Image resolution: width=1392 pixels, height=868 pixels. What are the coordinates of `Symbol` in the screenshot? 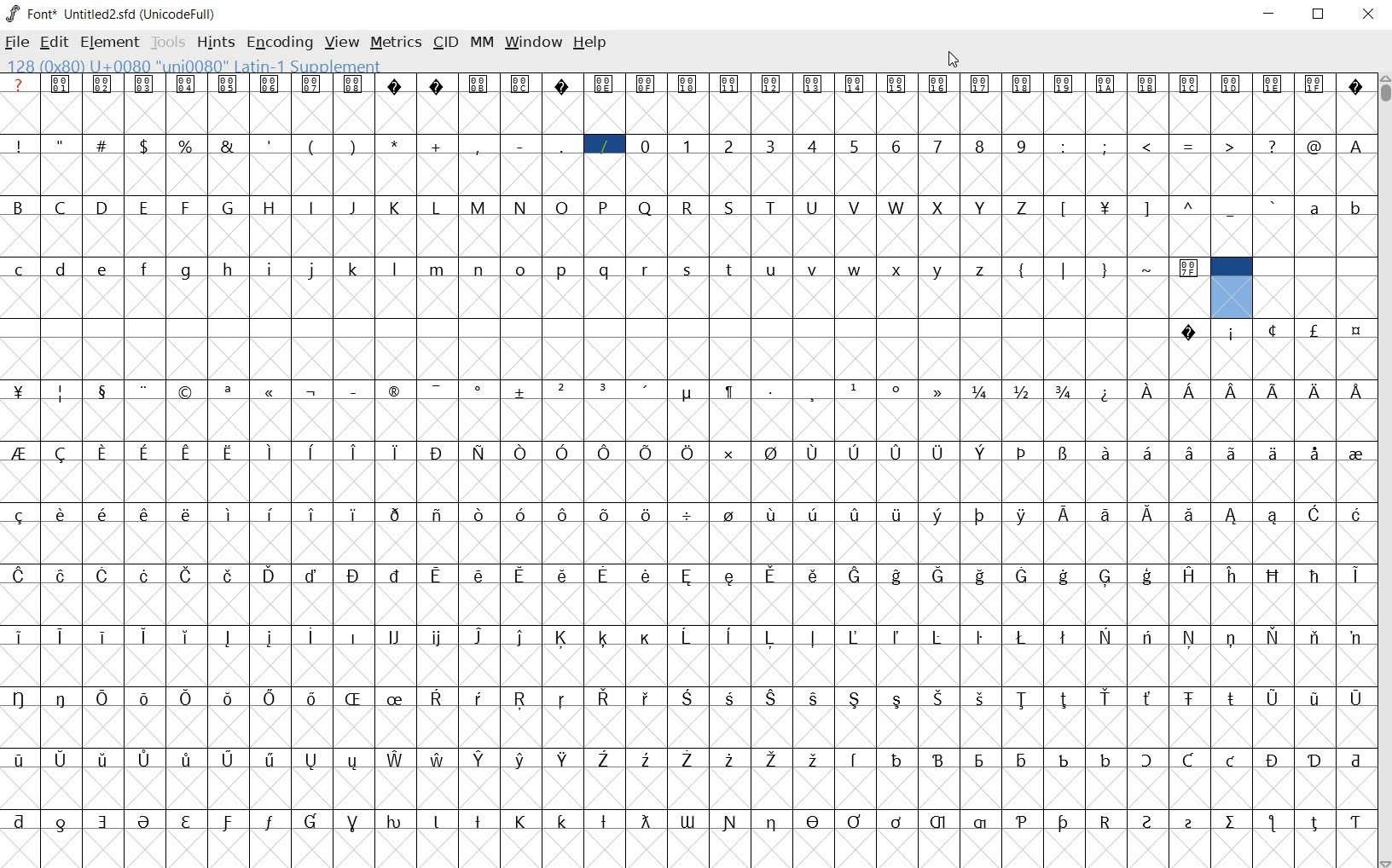 It's located at (566, 760).